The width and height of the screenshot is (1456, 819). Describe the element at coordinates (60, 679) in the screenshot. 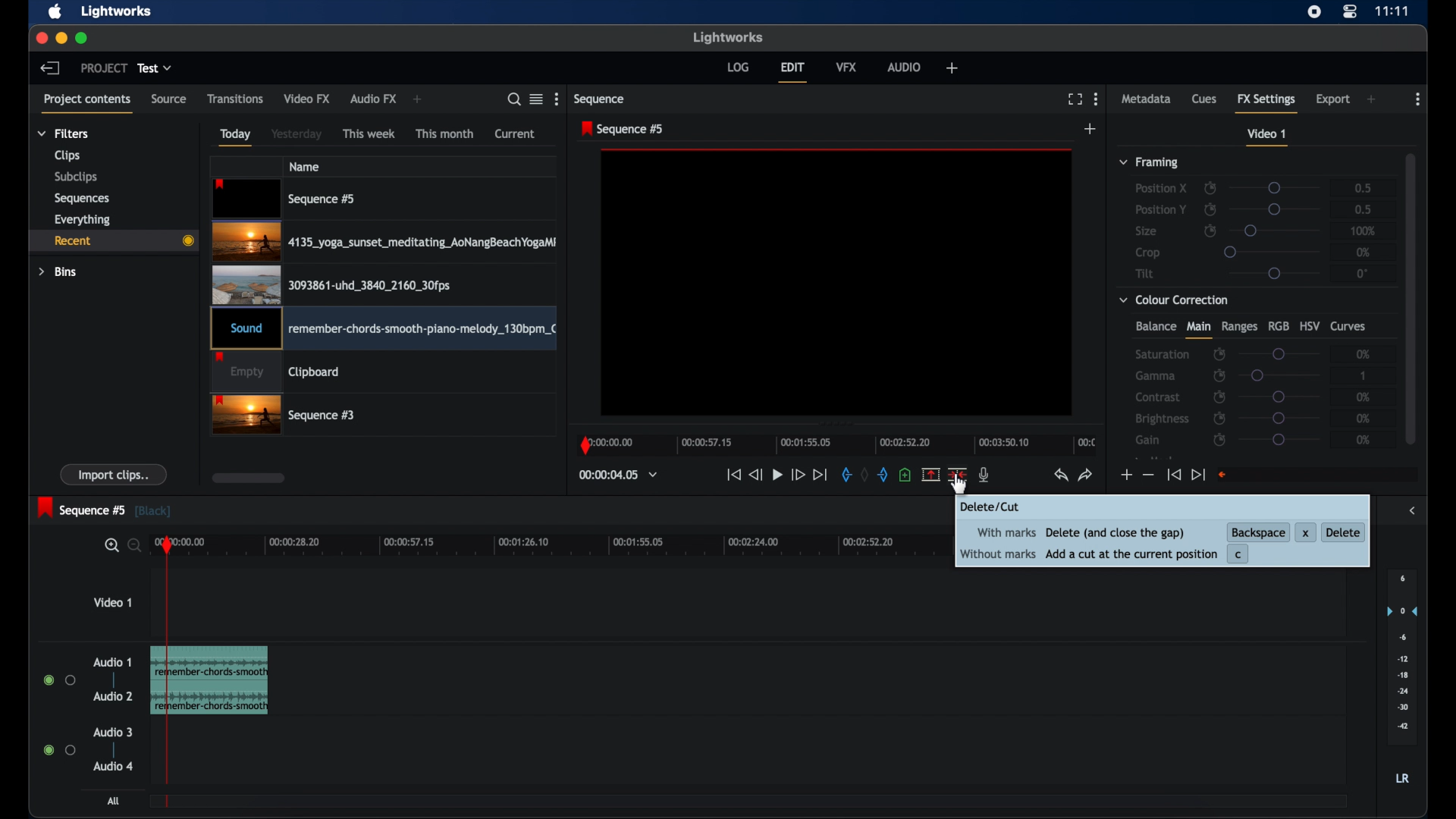

I see `radio buttons` at that location.